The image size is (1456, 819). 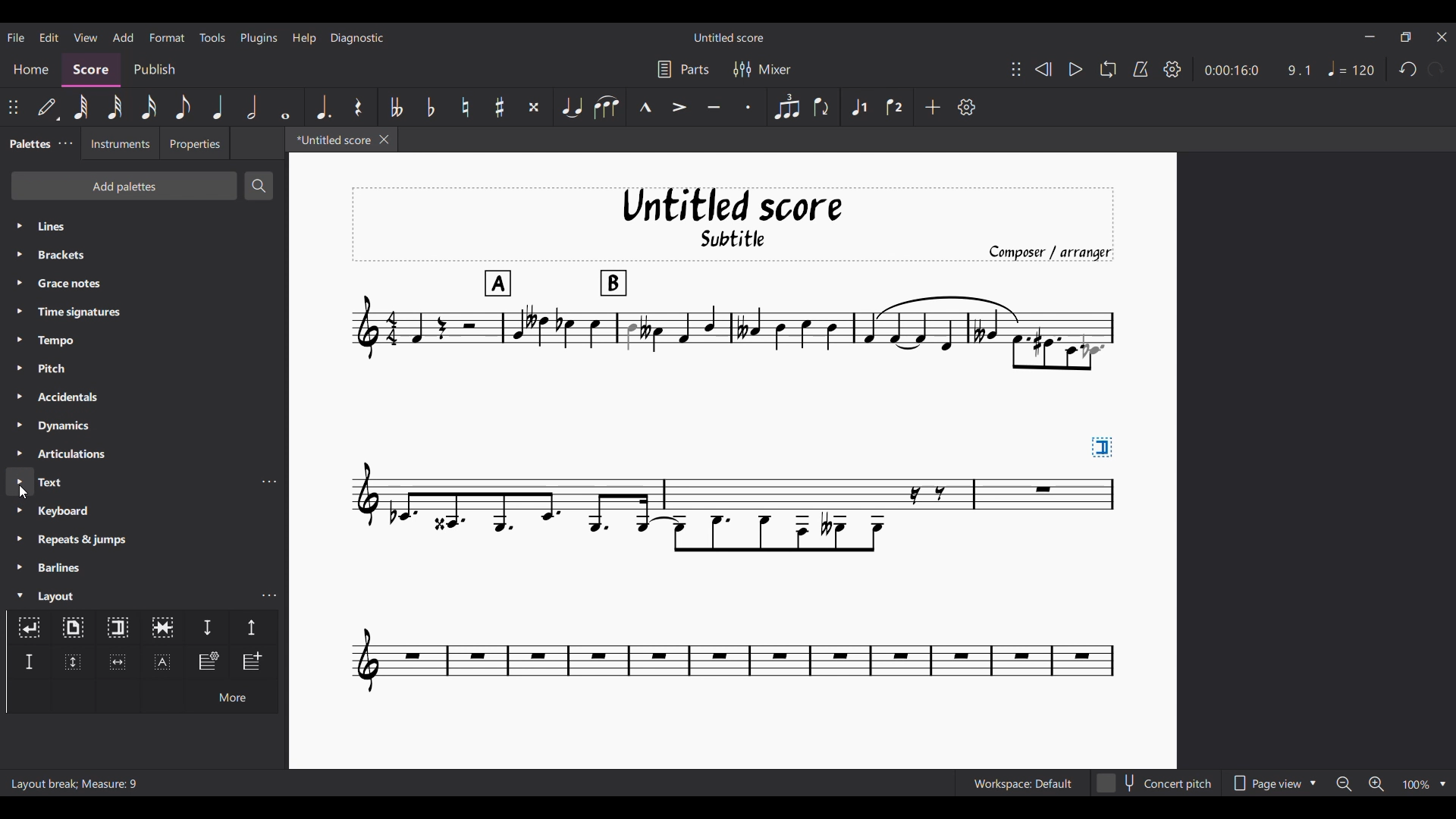 What do you see at coordinates (117, 628) in the screenshot?
I see `Section break, highlighted as current selection` at bounding box center [117, 628].